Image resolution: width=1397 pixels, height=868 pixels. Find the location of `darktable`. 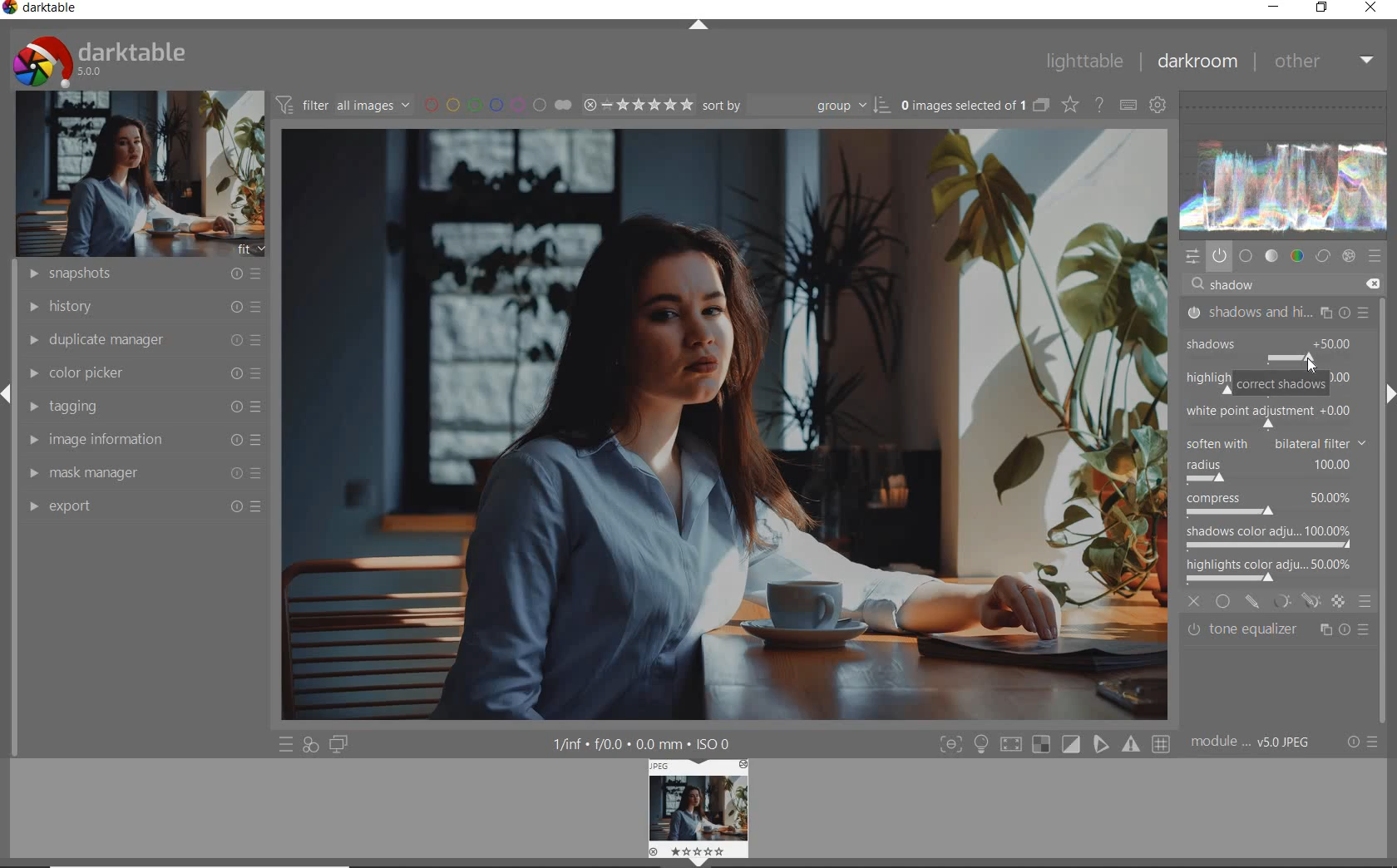

darktable is located at coordinates (129, 60).